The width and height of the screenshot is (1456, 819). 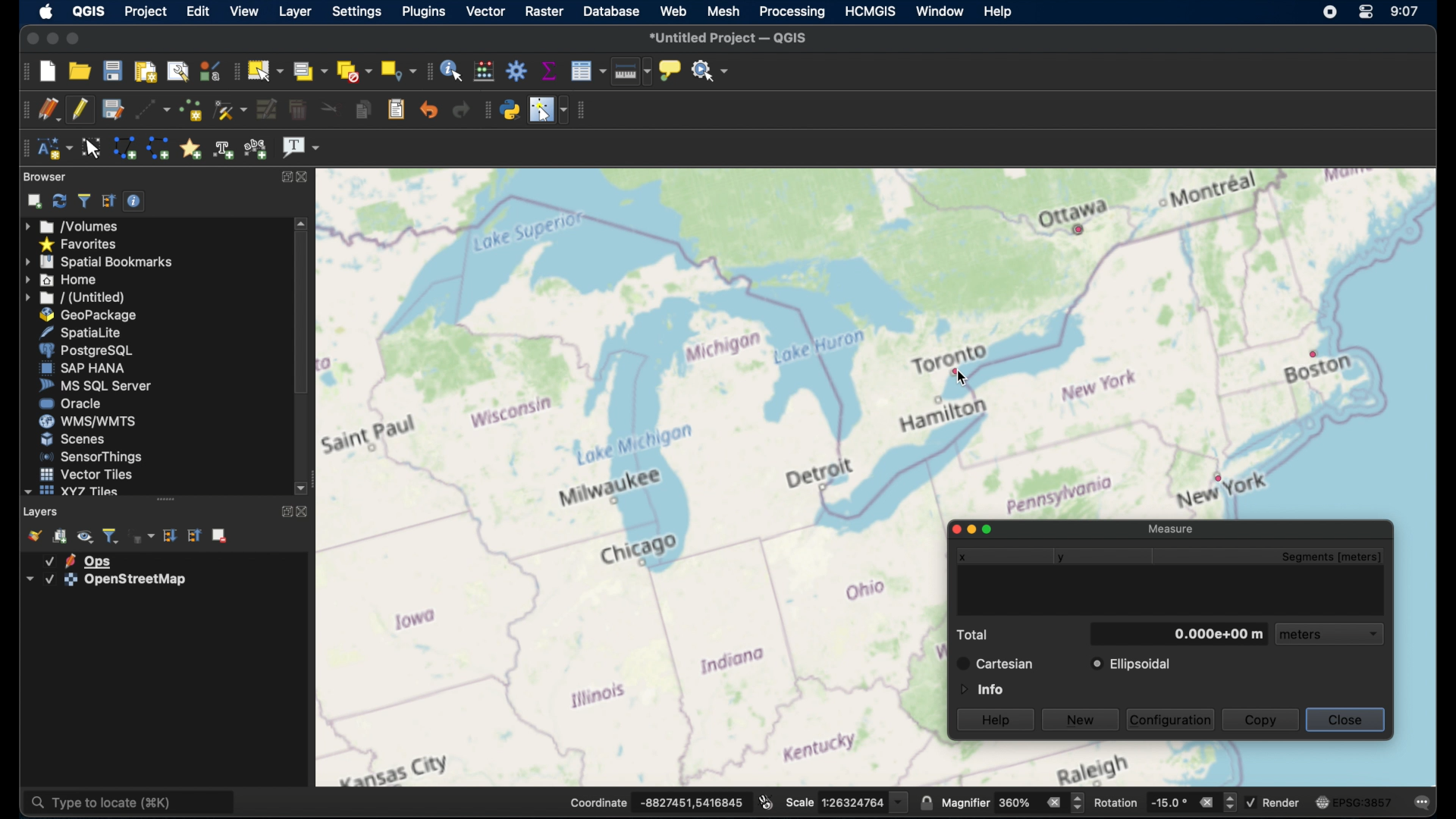 What do you see at coordinates (152, 108) in the screenshot?
I see `digitize with segment` at bounding box center [152, 108].